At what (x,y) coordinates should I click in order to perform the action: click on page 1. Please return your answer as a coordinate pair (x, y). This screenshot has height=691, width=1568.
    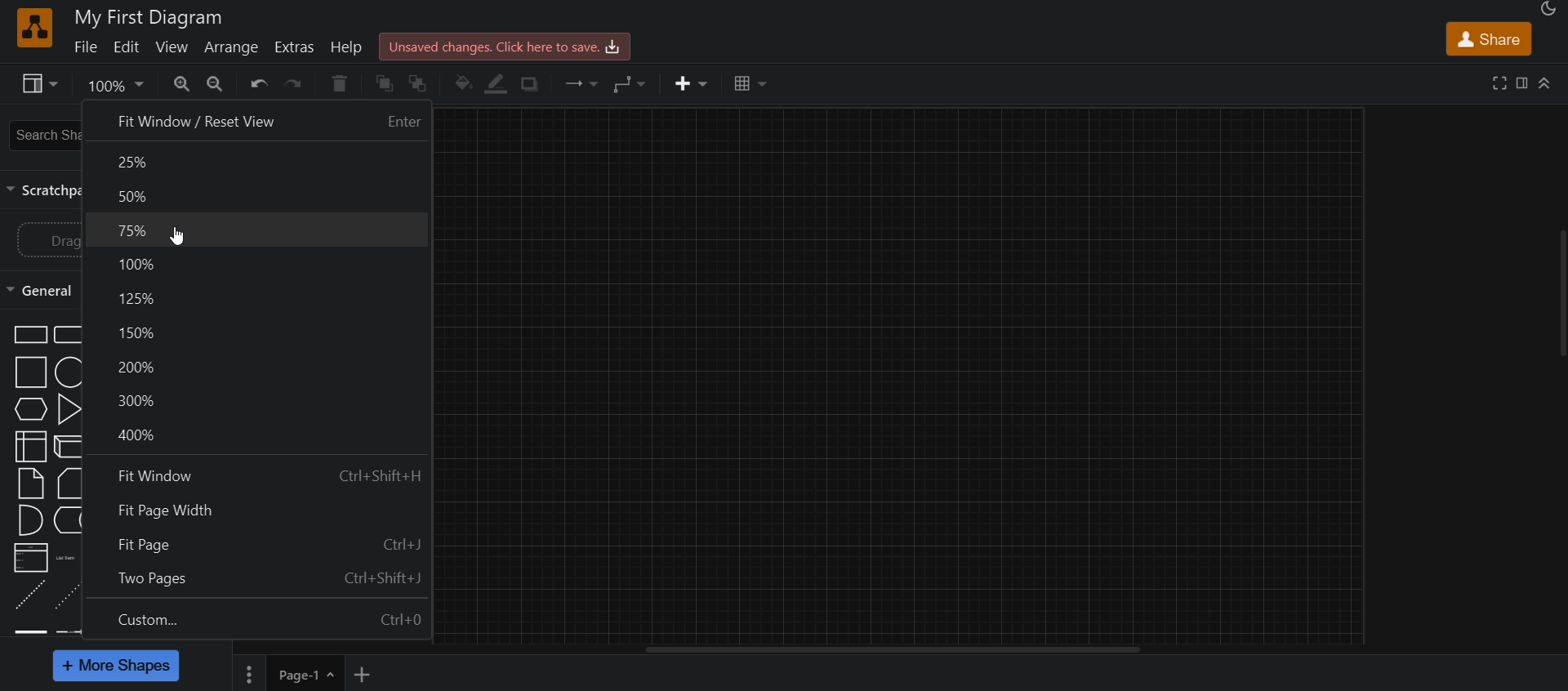
    Looking at the image, I should click on (287, 673).